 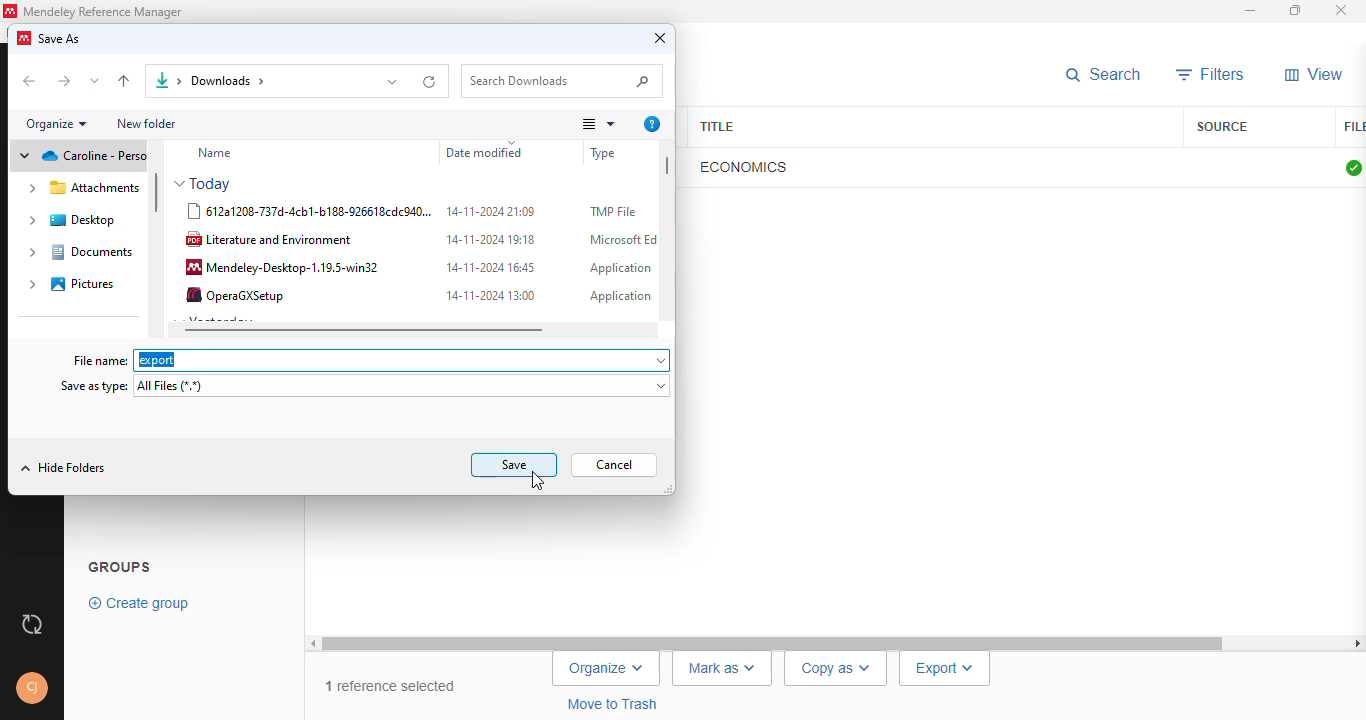 I want to click on vertical scroll bar, so click(x=157, y=193).